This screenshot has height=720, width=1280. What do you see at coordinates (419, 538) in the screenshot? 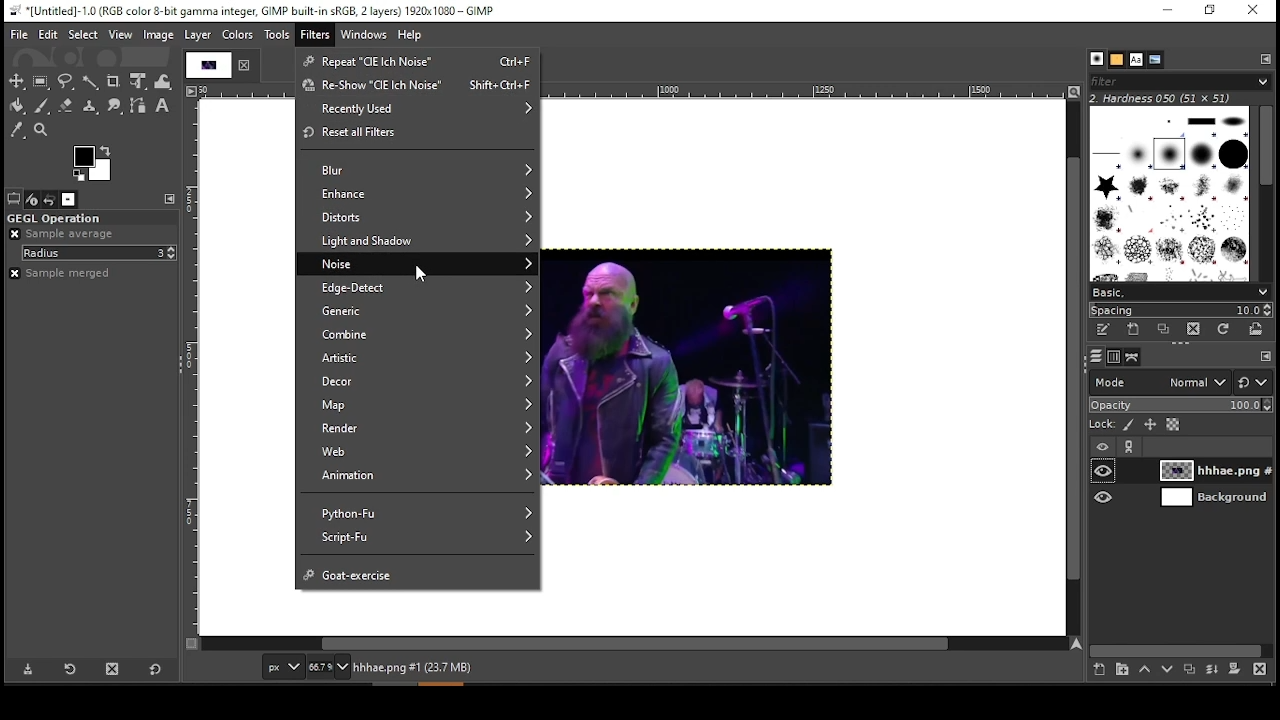
I see `script fu` at bounding box center [419, 538].